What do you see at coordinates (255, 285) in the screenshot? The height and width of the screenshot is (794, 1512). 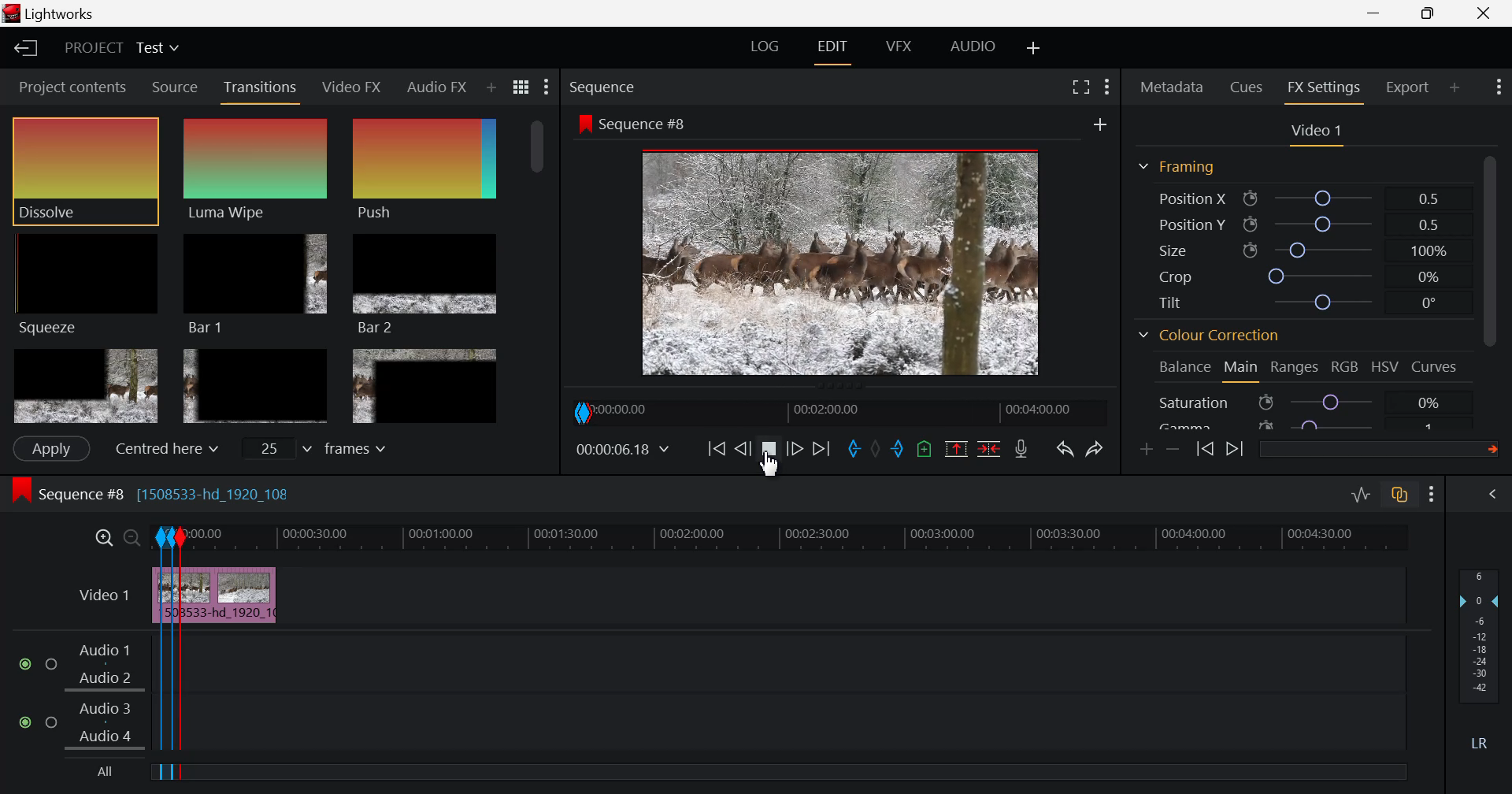 I see `Bar 1` at bounding box center [255, 285].